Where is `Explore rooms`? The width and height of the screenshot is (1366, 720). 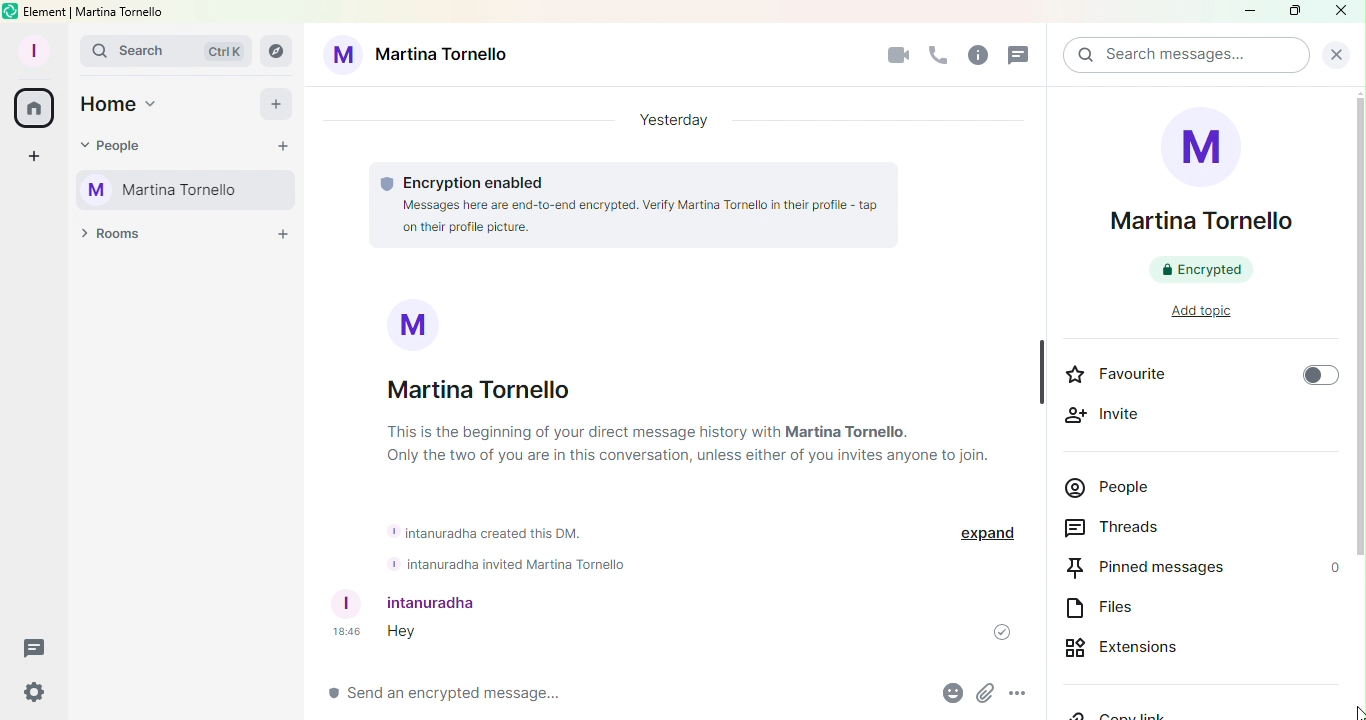
Explore rooms is located at coordinates (277, 51).